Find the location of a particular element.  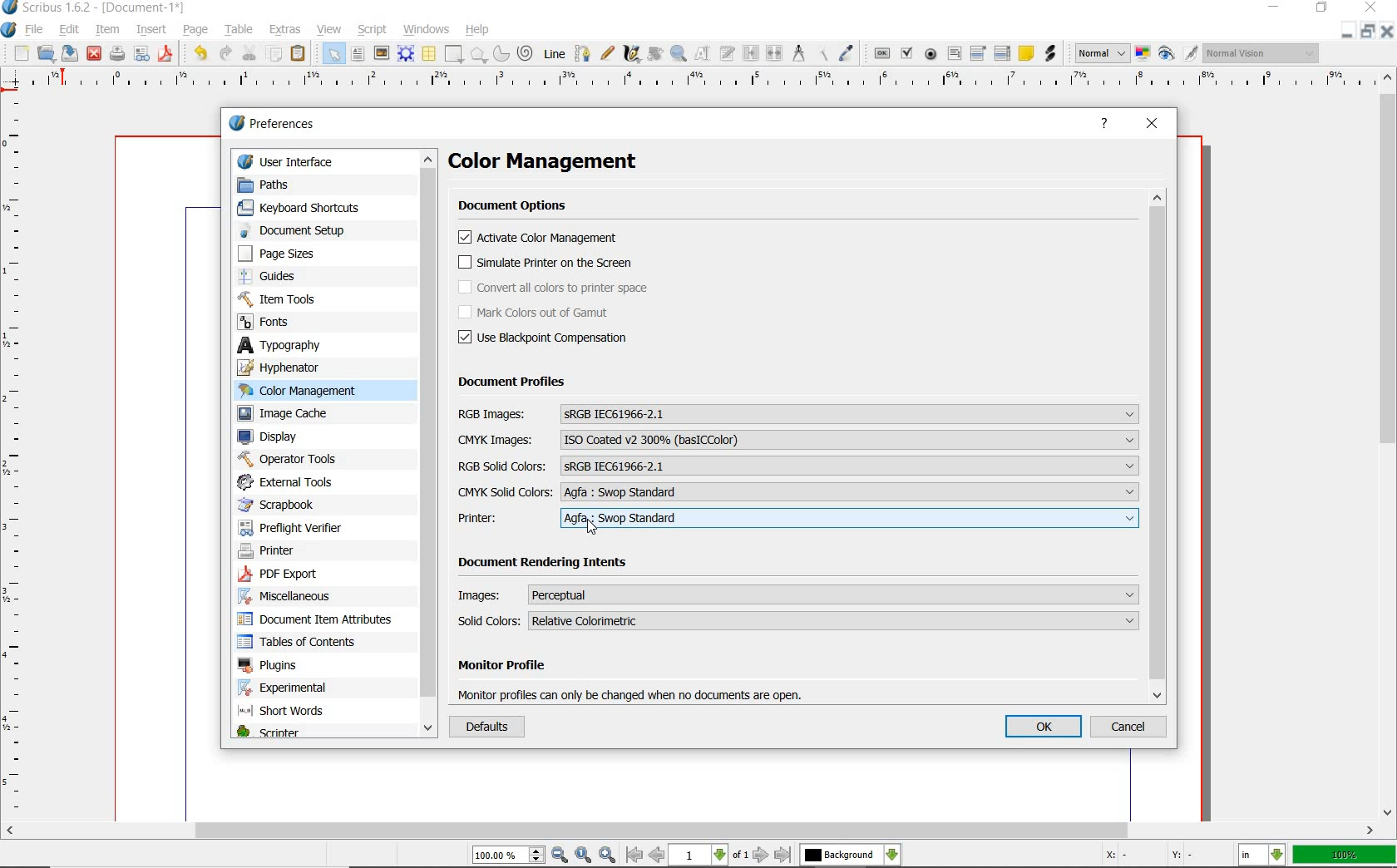

hyphenator is located at coordinates (304, 367).